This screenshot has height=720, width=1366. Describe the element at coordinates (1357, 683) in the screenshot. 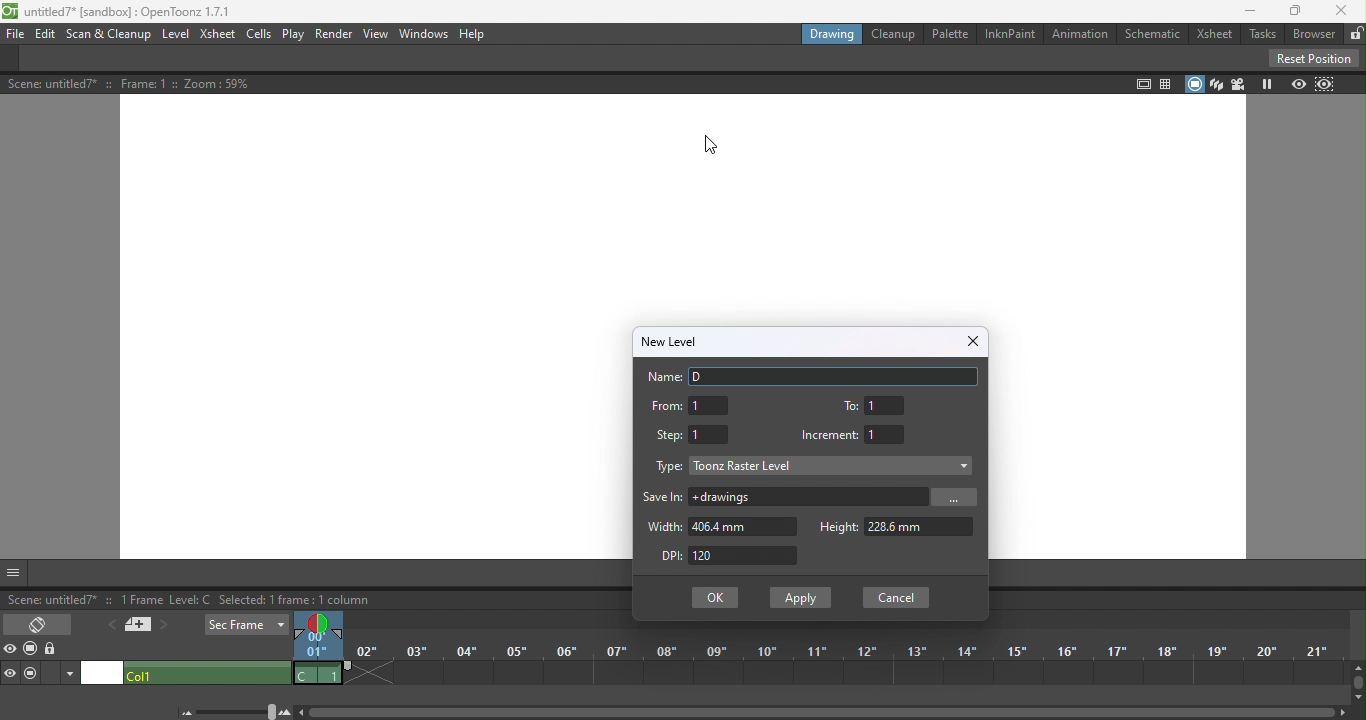

I see `Vertical scroll bar` at that location.